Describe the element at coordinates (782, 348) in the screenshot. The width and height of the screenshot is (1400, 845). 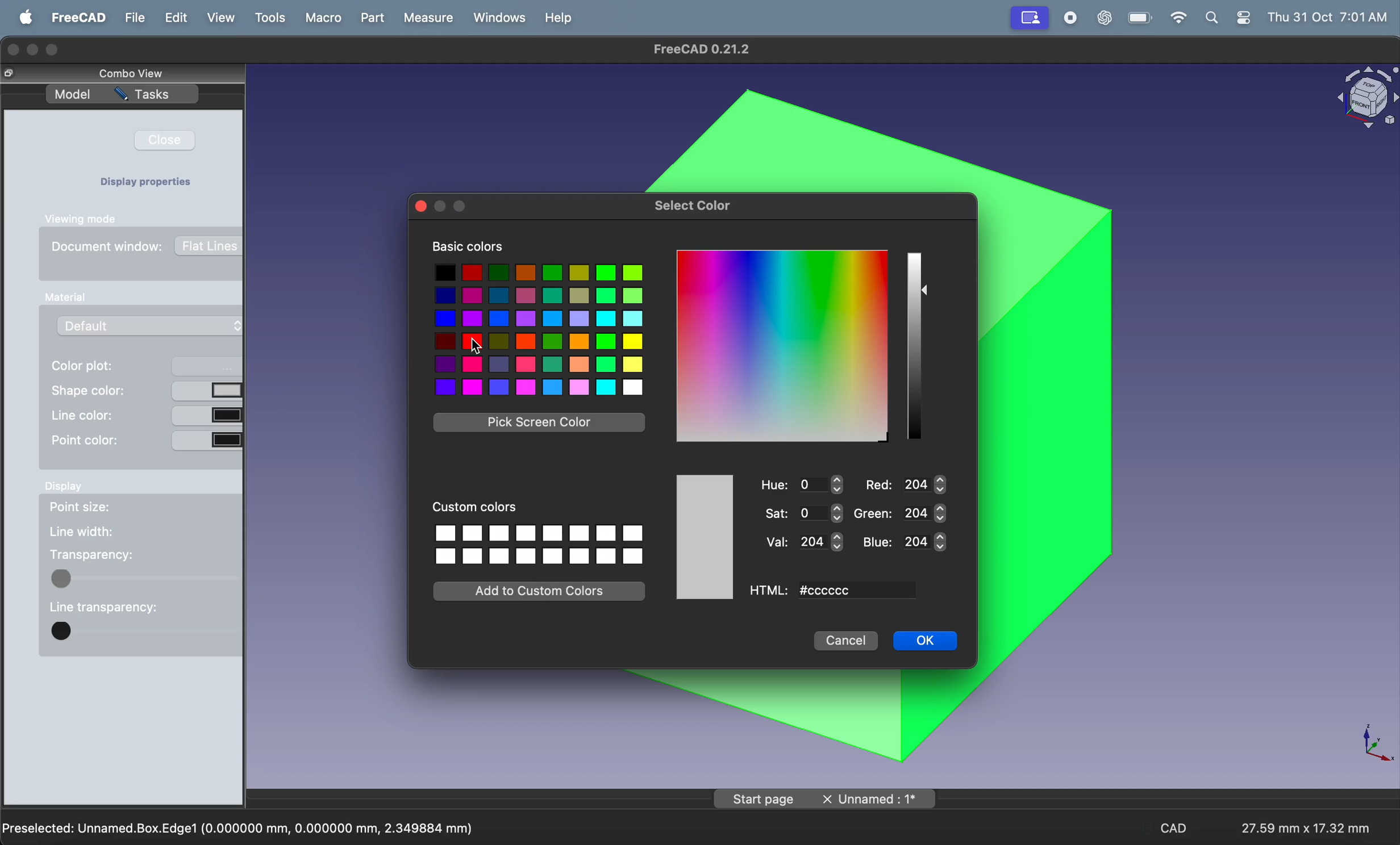
I see `color grid` at that location.